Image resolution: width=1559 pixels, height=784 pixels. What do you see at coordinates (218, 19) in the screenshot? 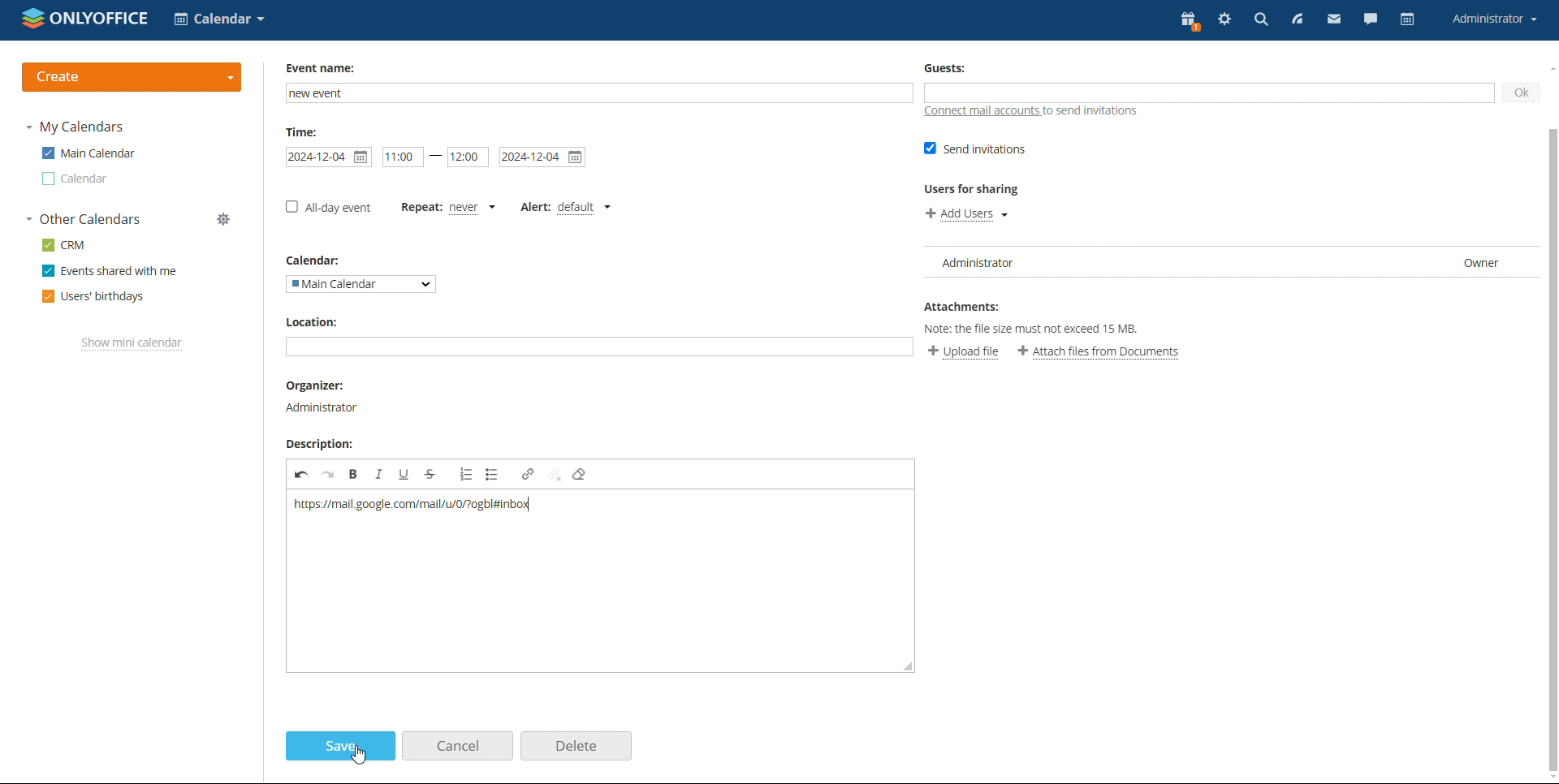
I see `select application` at bounding box center [218, 19].